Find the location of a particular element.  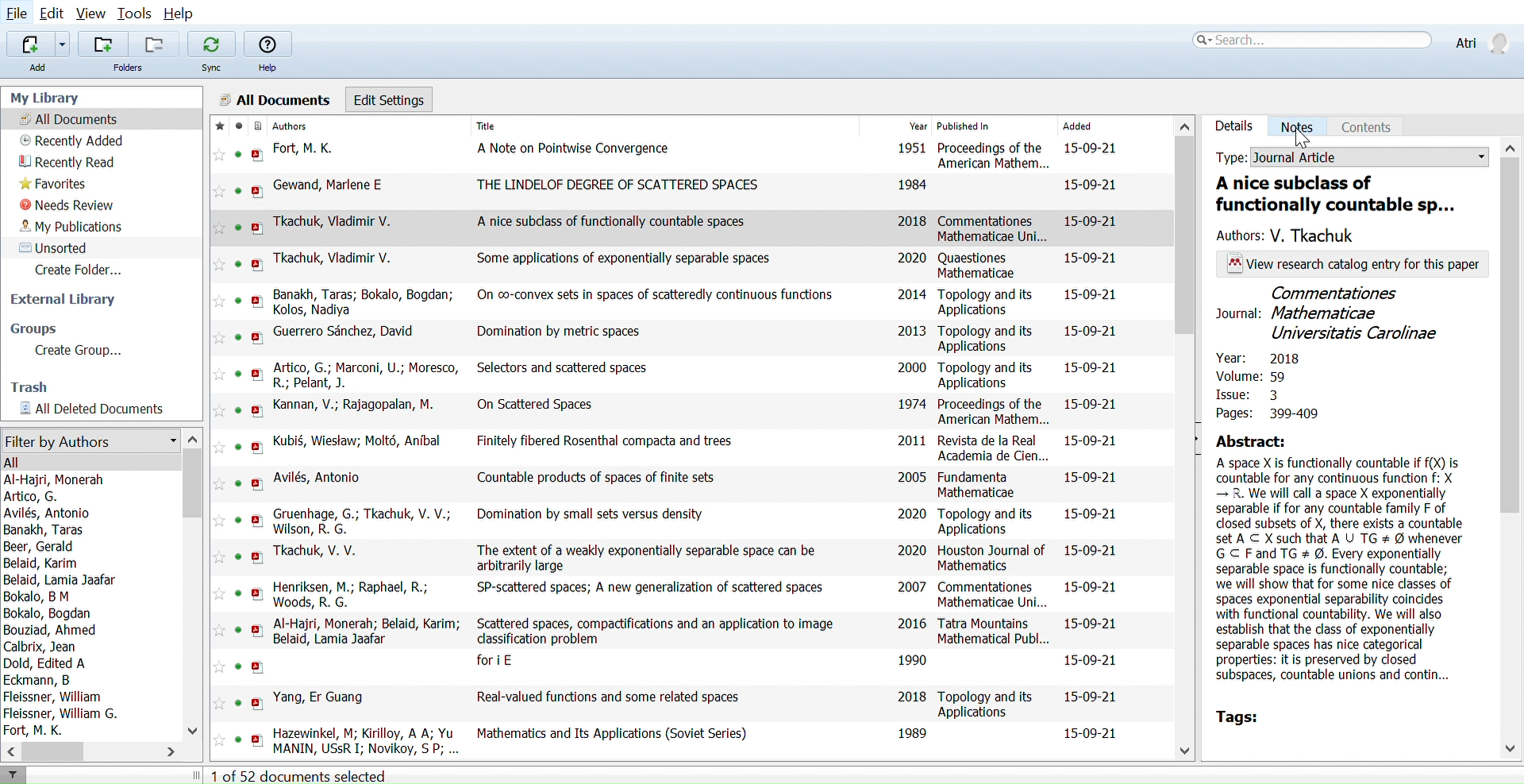

2016 is located at coordinates (912, 624).